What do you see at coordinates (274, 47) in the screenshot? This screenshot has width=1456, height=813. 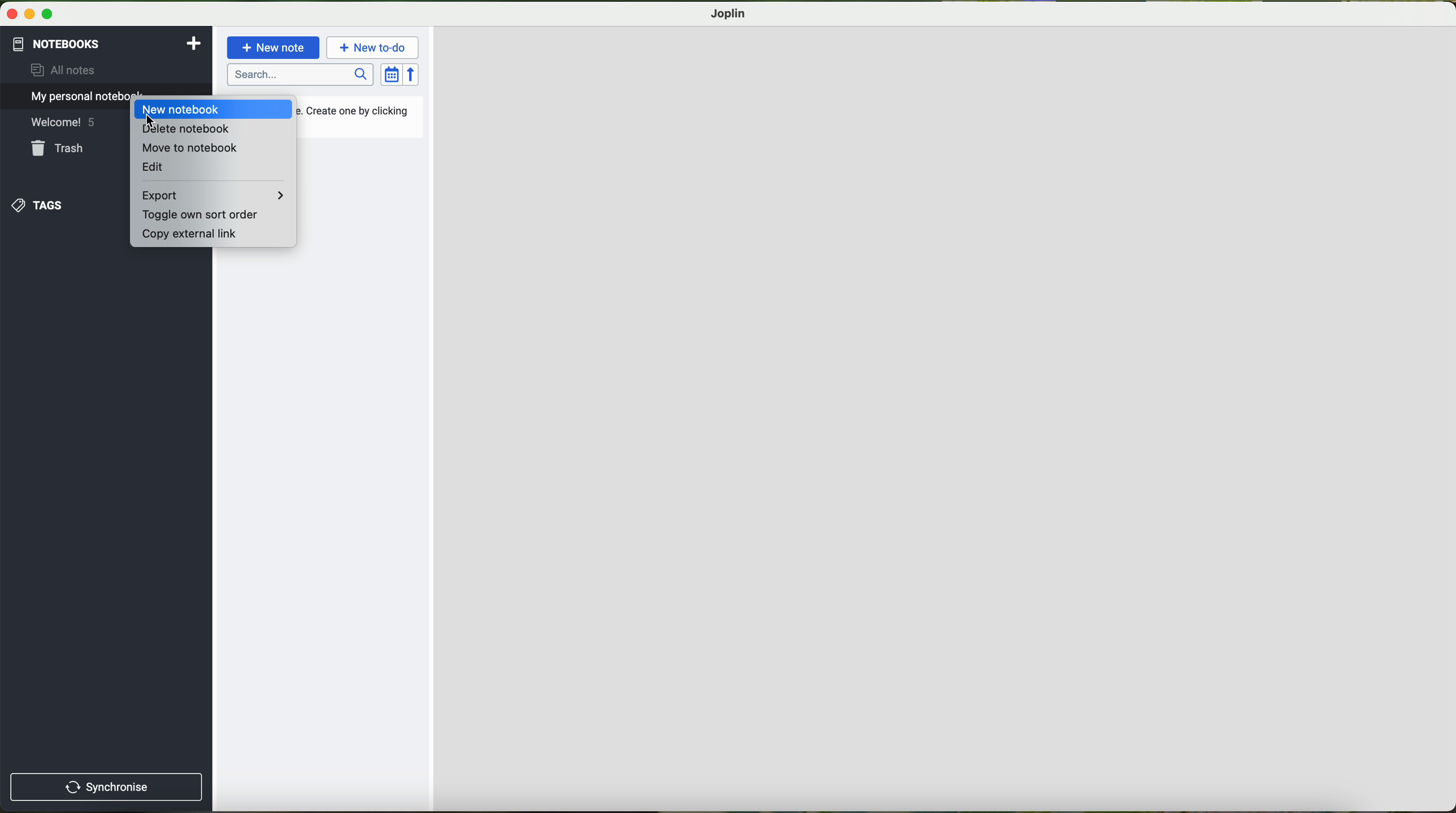 I see `new note button` at bounding box center [274, 47].